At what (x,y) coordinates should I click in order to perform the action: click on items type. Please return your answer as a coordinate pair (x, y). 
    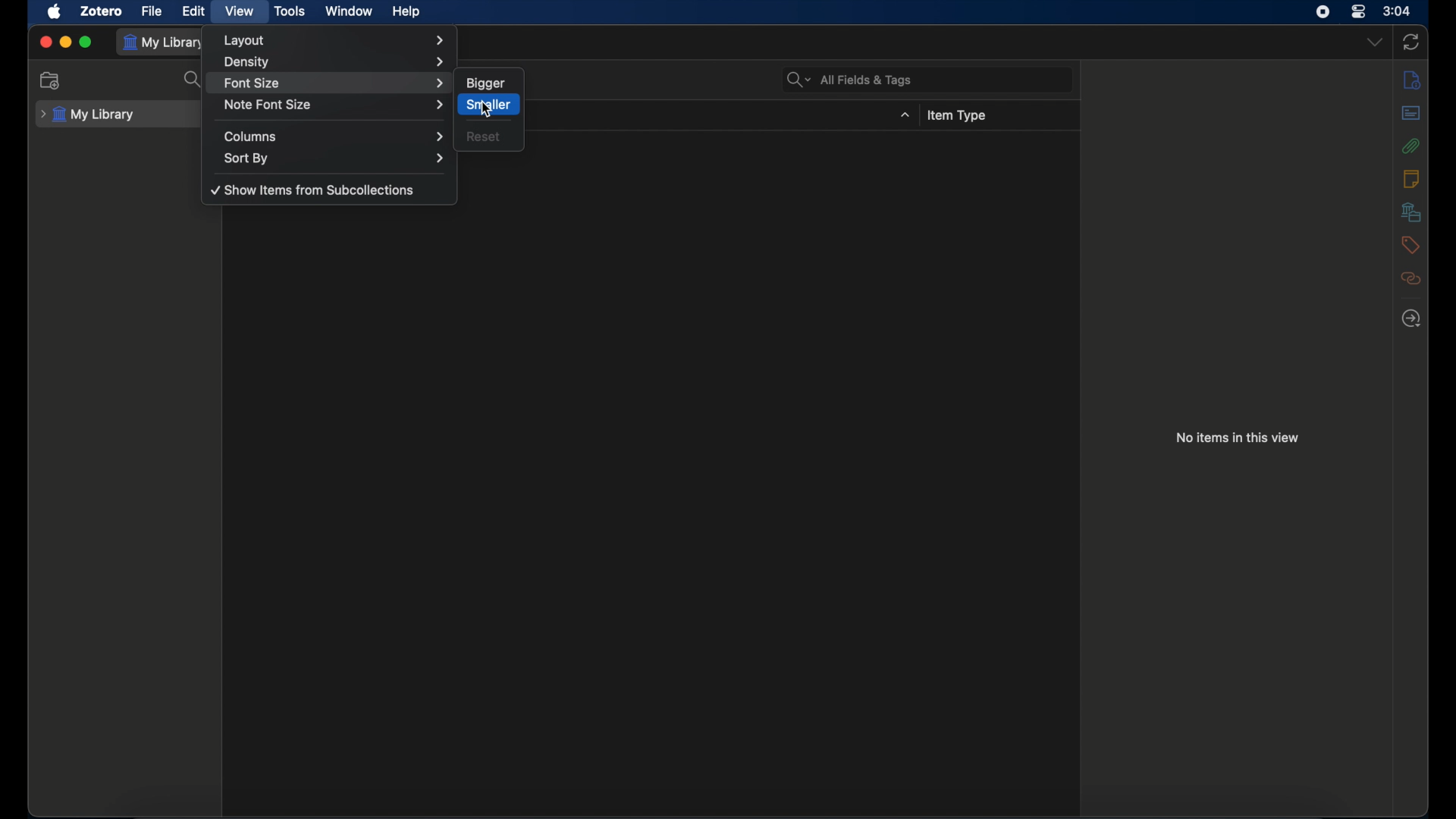
    Looking at the image, I should click on (957, 115).